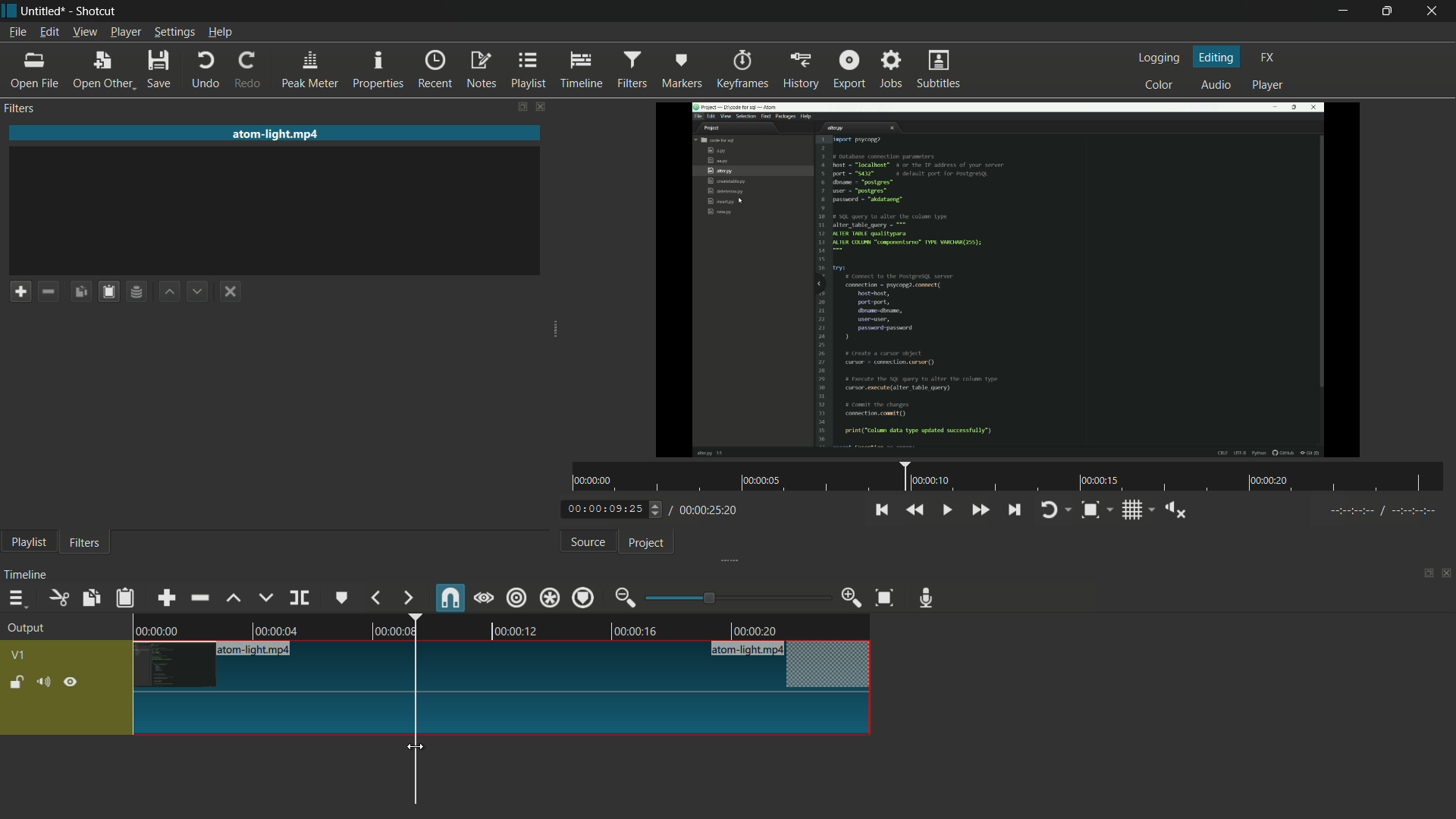 The image size is (1456, 819). I want to click on add a filter, so click(20, 291).